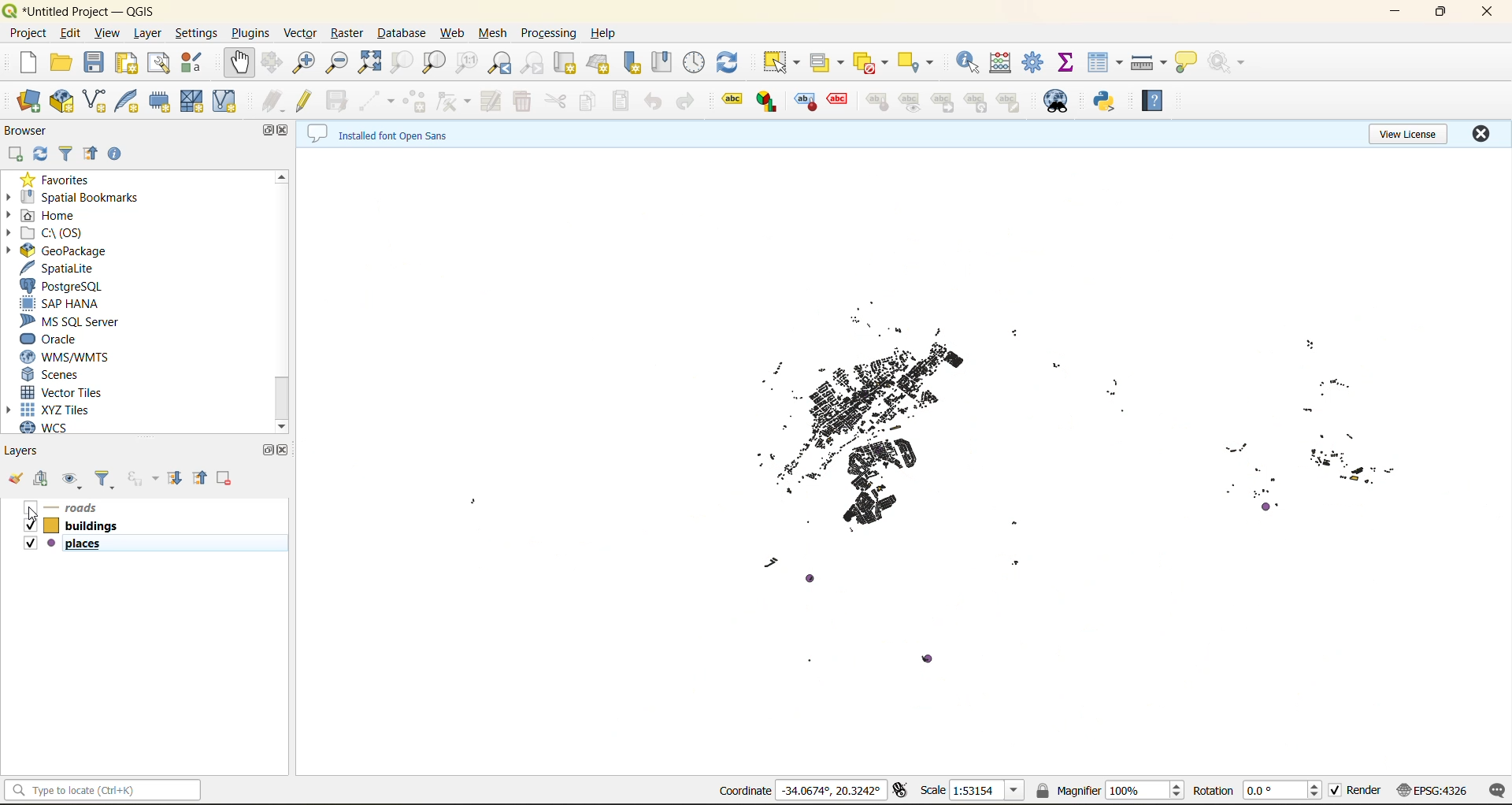 Image resolution: width=1512 pixels, height=805 pixels. What do you see at coordinates (879, 104) in the screenshot?
I see `labels toolbar 5` at bounding box center [879, 104].